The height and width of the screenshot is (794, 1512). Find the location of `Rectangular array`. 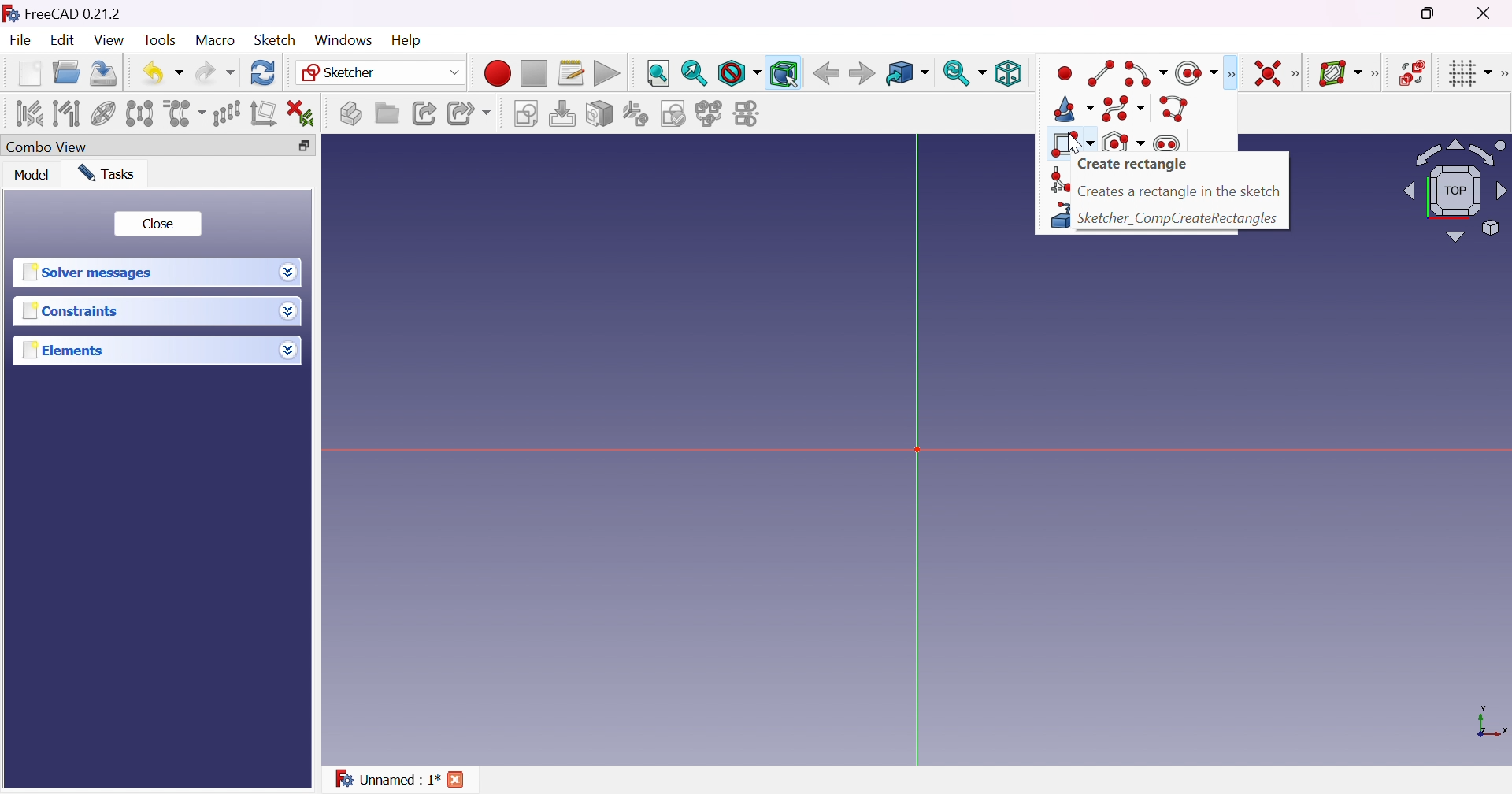

Rectangular array is located at coordinates (226, 114).